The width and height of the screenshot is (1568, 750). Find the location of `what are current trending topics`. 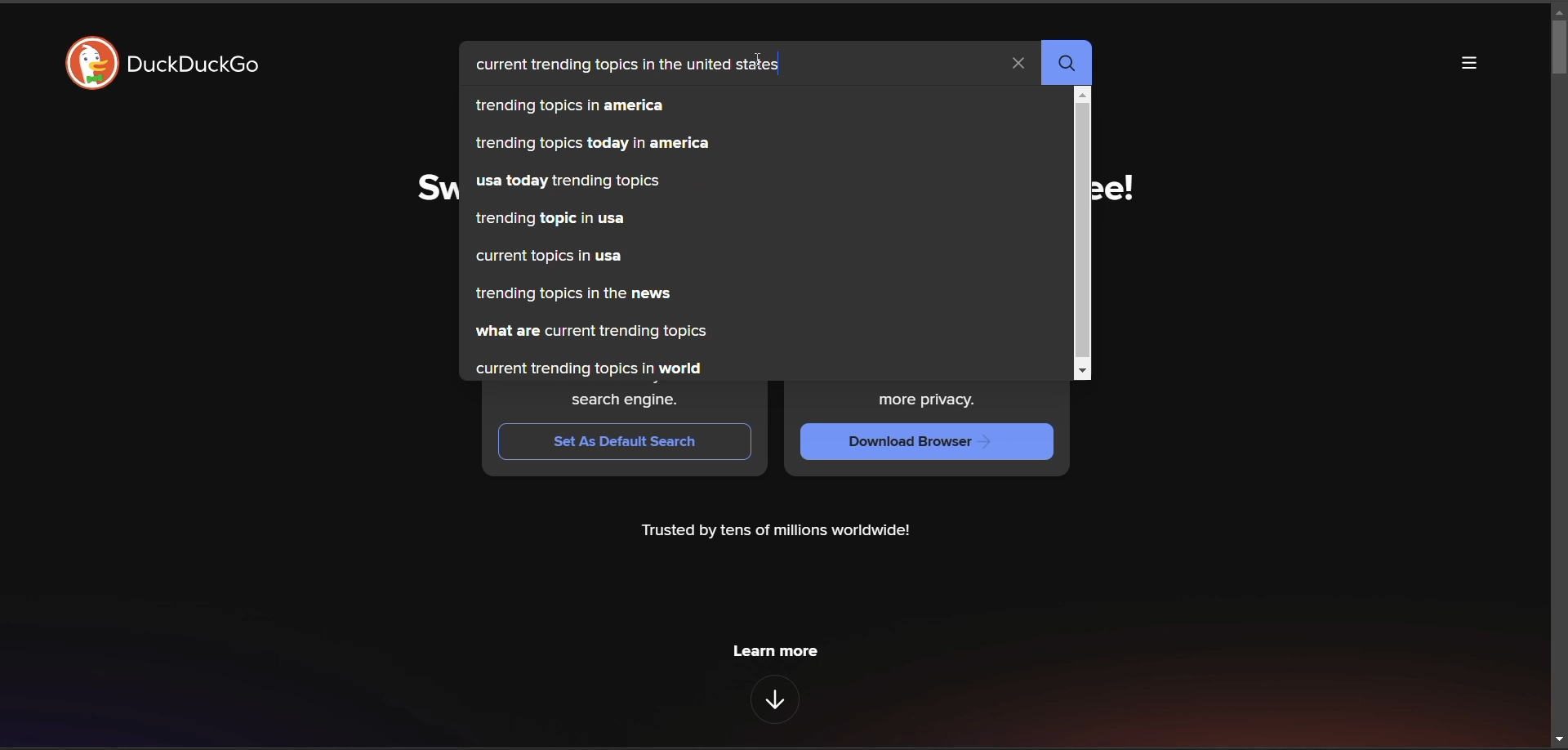

what are current trending topics is located at coordinates (596, 333).